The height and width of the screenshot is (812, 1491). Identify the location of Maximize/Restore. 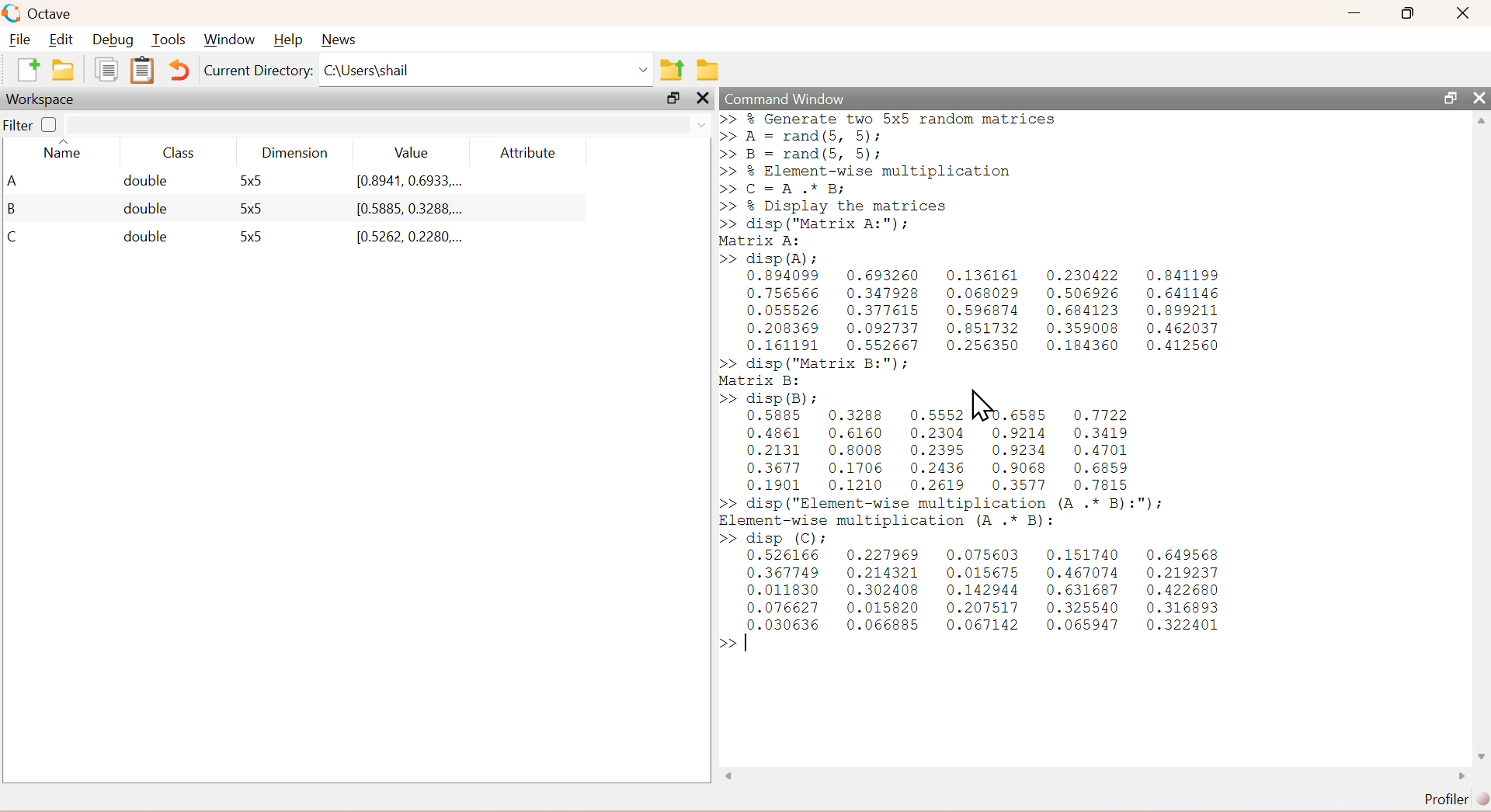
(672, 99).